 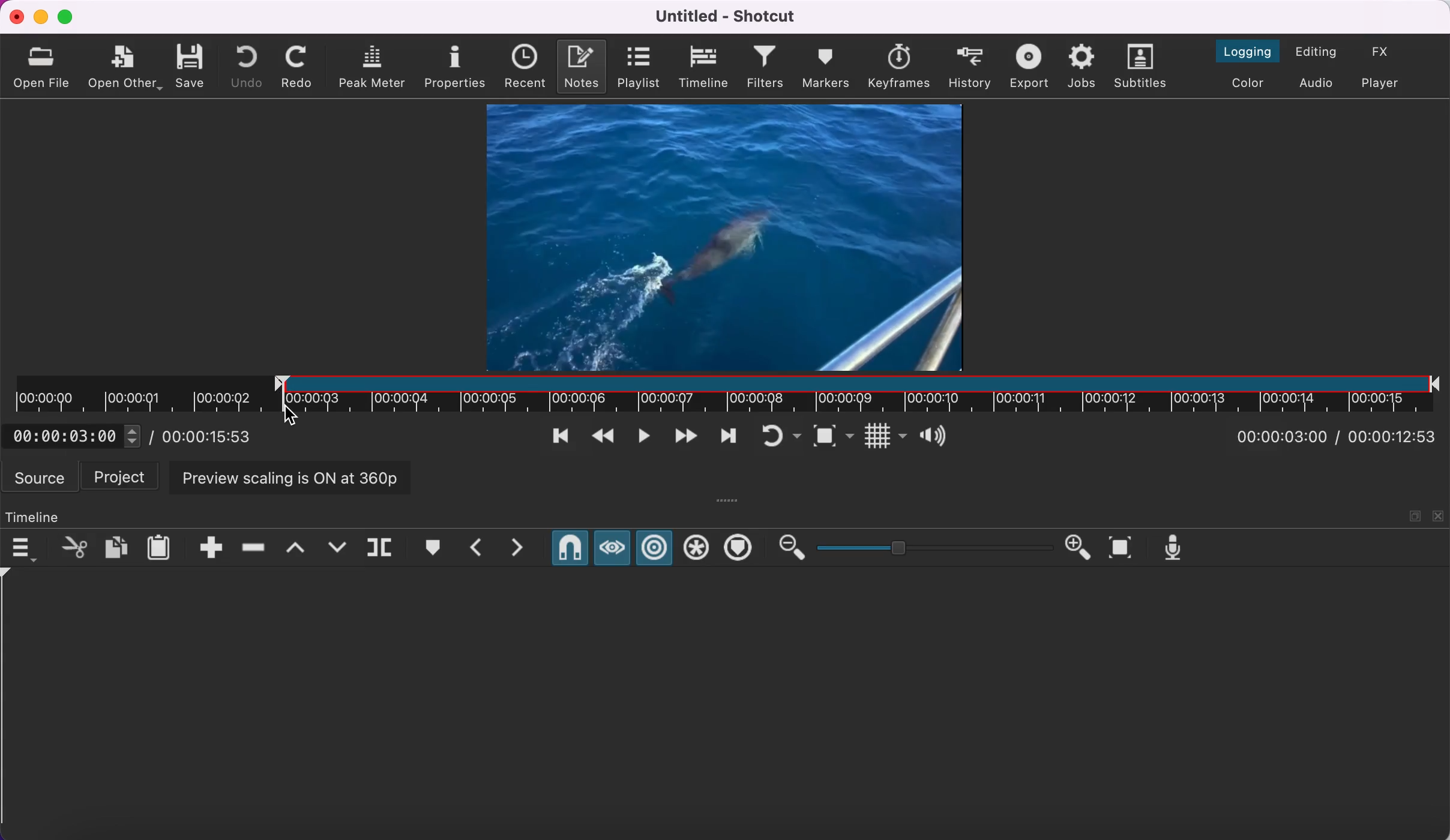 I want to click on clip in, so click(x=863, y=394).